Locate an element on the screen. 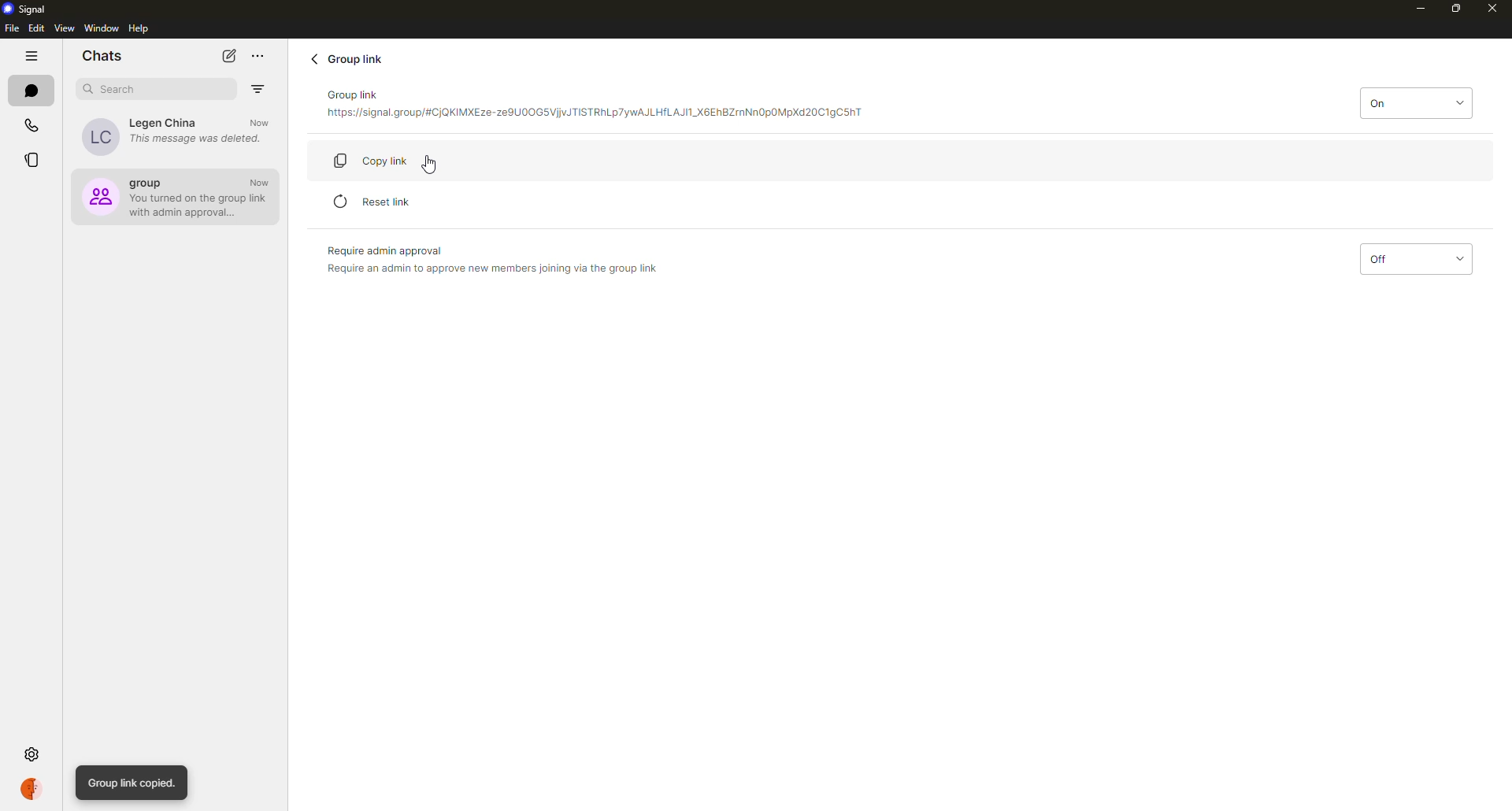 Image resolution: width=1512 pixels, height=811 pixels. file is located at coordinates (10, 28).